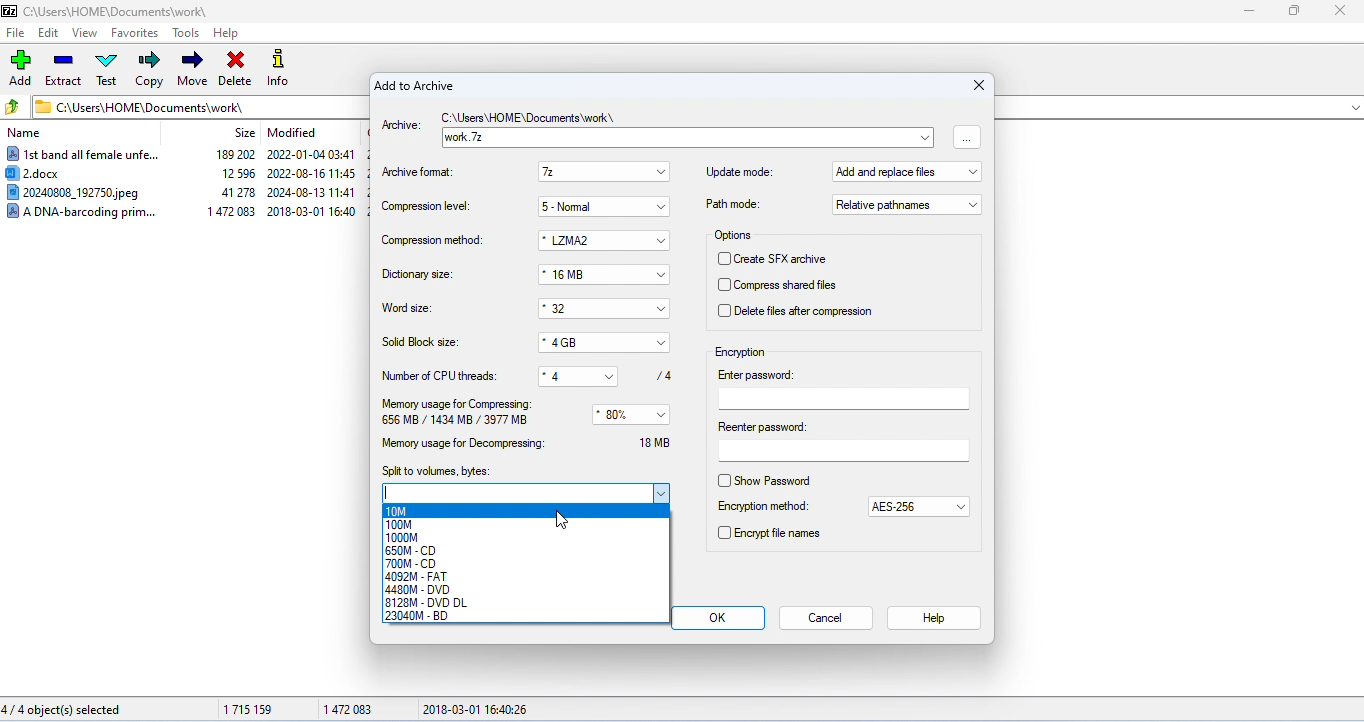 This screenshot has height=722, width=1364. What do you see at coordinates (535, 443) in the screenshot?
I see `memory usage for decompressing  18 MB` at bounding box center [535, 443].